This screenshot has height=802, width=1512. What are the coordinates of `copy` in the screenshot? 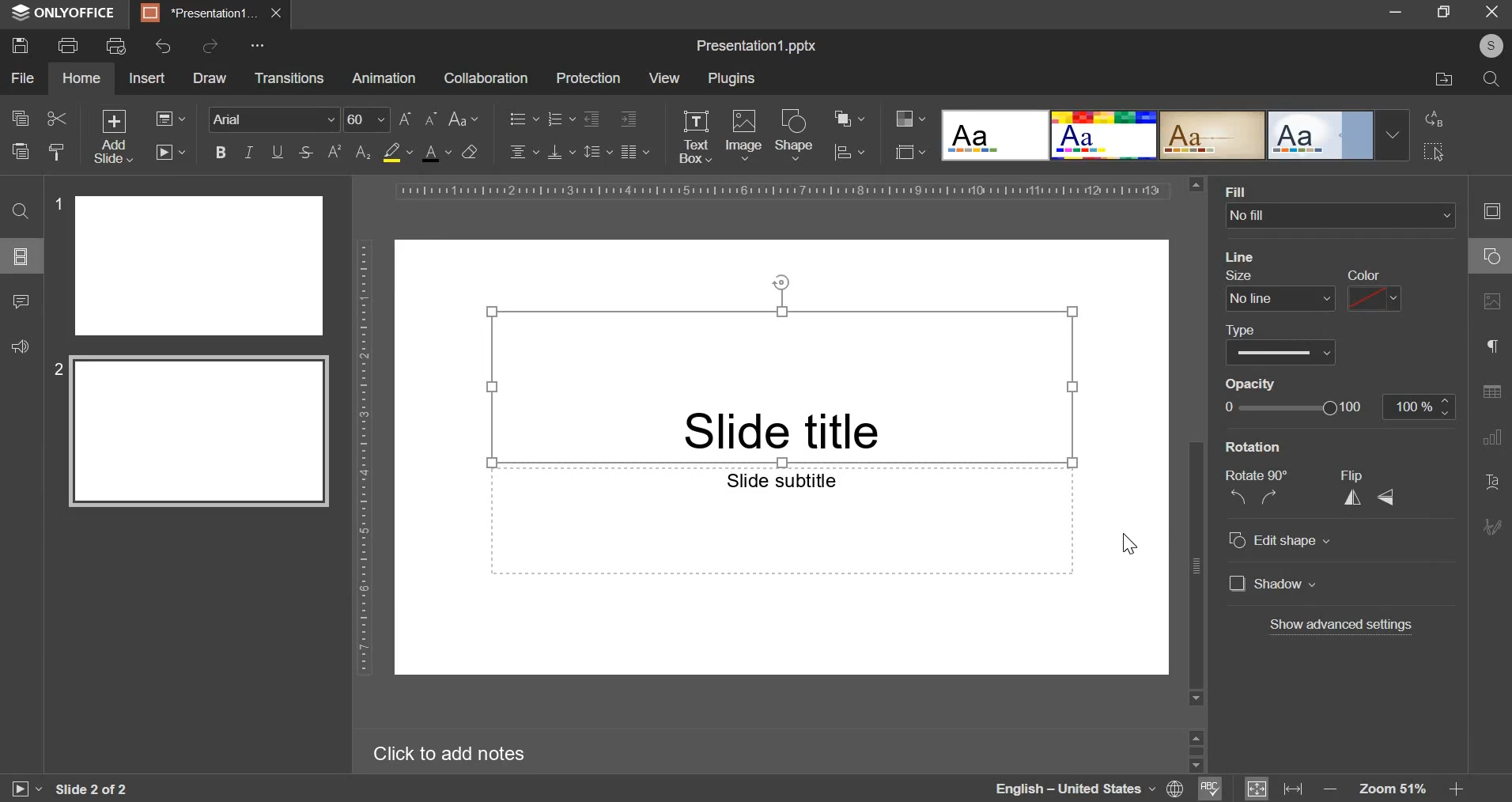 It's located at (20, 119).